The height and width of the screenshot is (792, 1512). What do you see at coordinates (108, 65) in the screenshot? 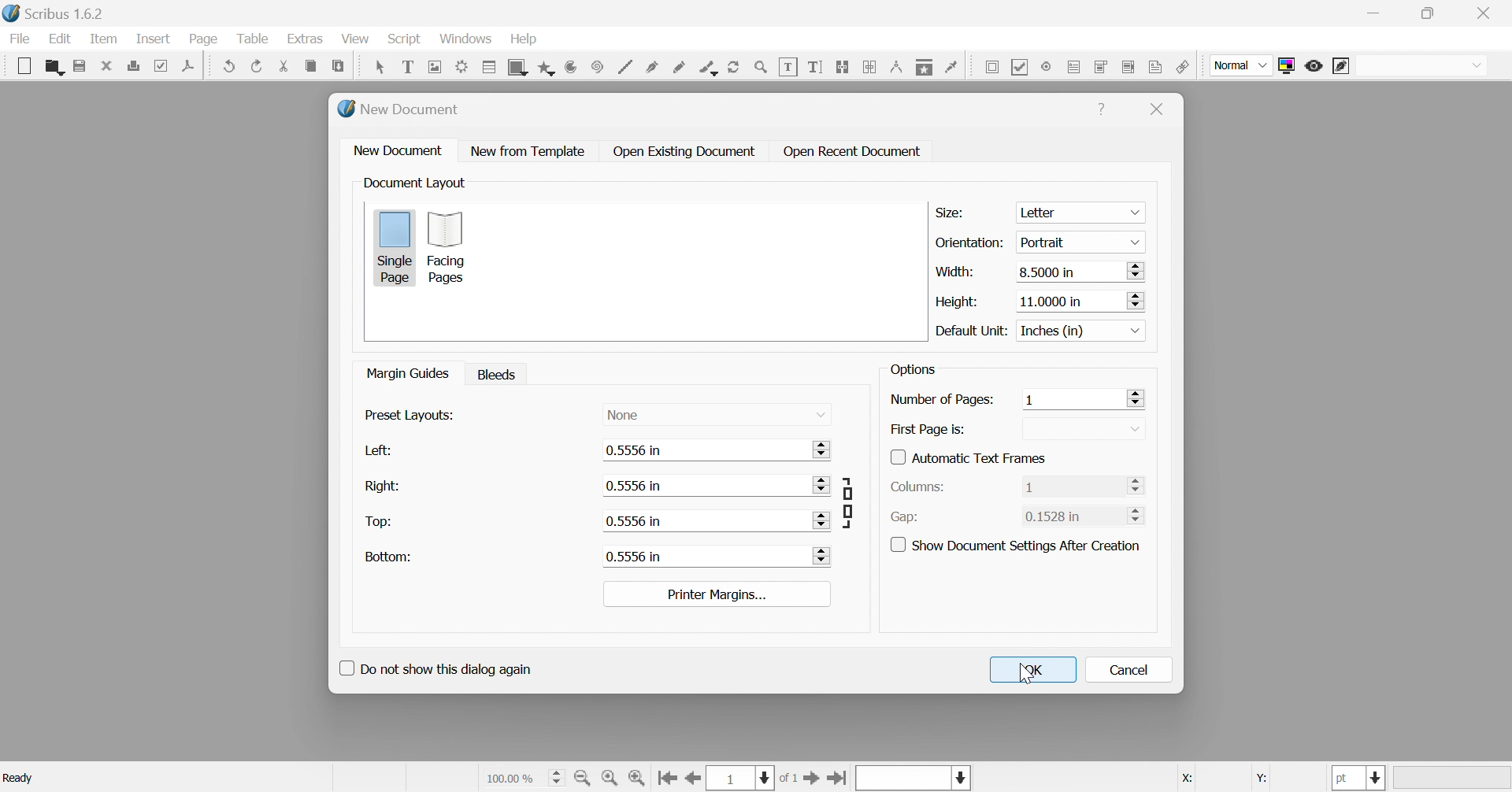
I see `close` at bounding box center [108, 65].